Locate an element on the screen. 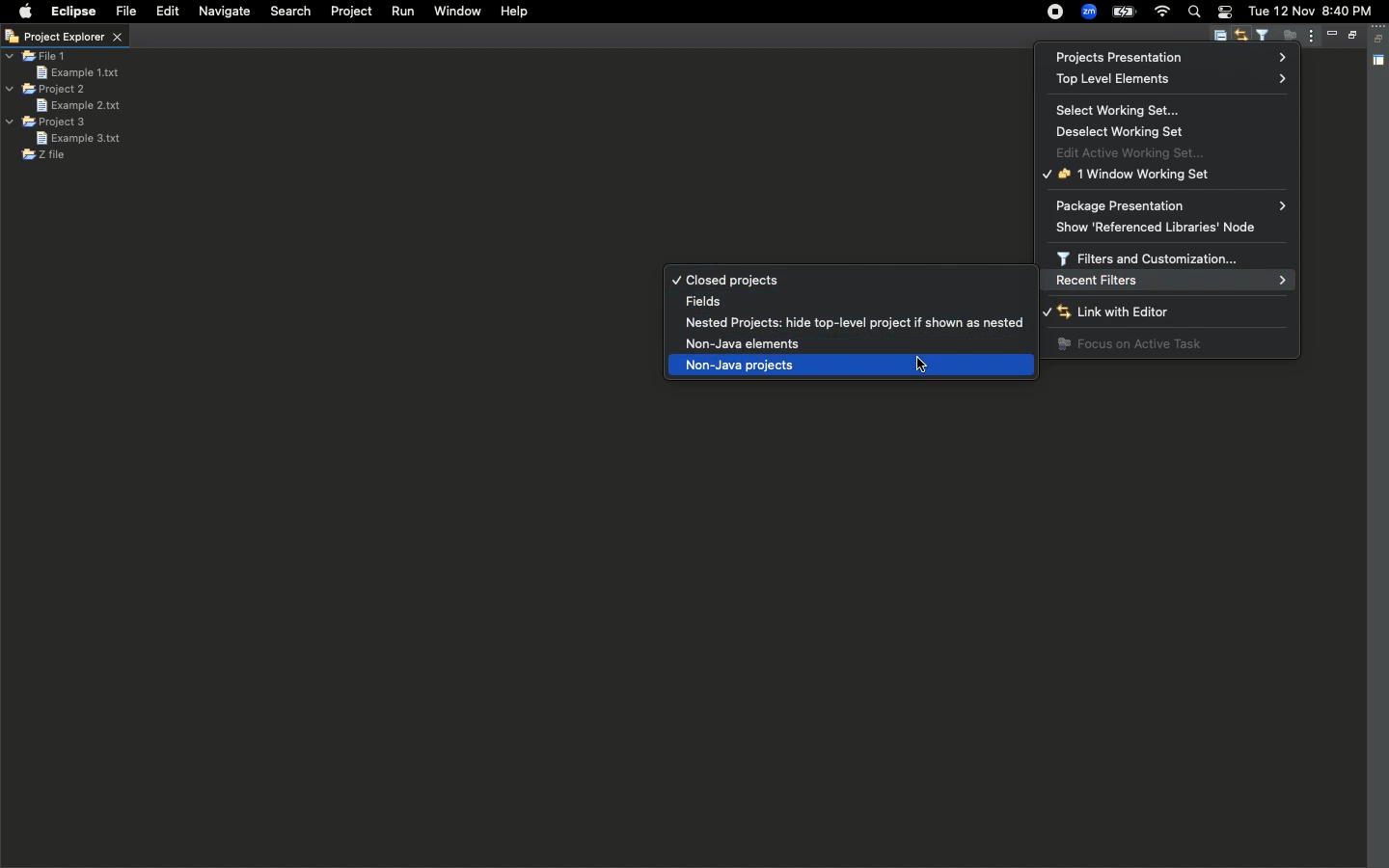 Image resolution: width=1389 pixels, height=868 pixels. Example 1 text file is located at coordinates (77, 71).